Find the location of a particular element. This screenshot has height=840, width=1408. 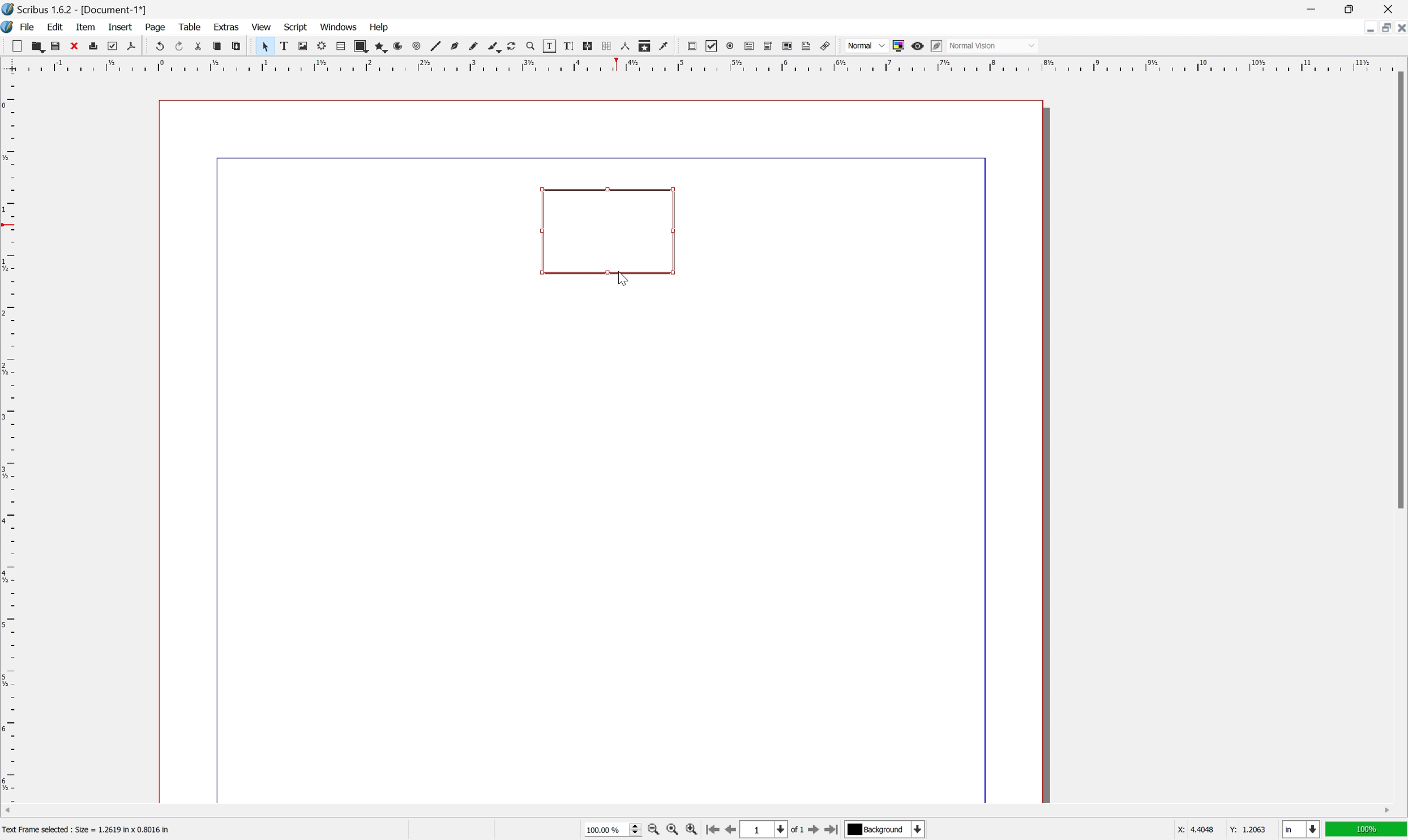

help is located at coordinates (379, 27).